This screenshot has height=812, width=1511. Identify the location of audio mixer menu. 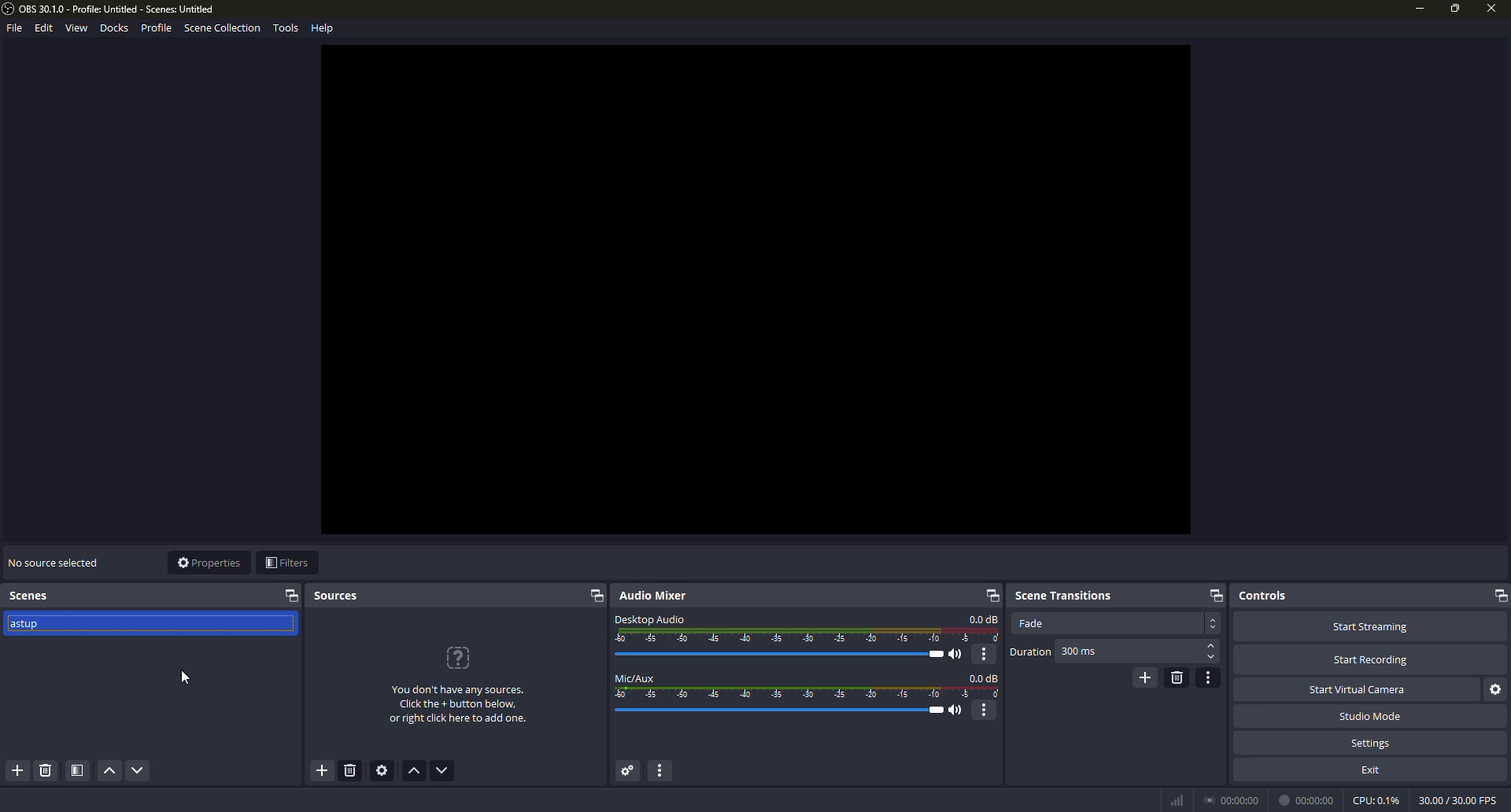
(665, 771).